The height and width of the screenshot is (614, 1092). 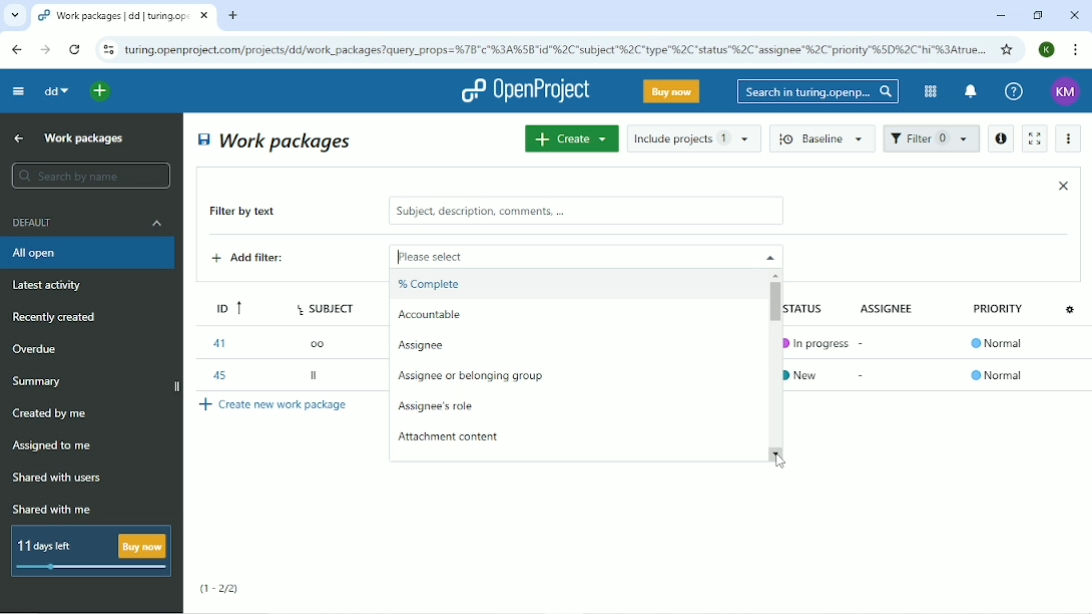 I want to click on scroll up, so click(x=779, y=275).